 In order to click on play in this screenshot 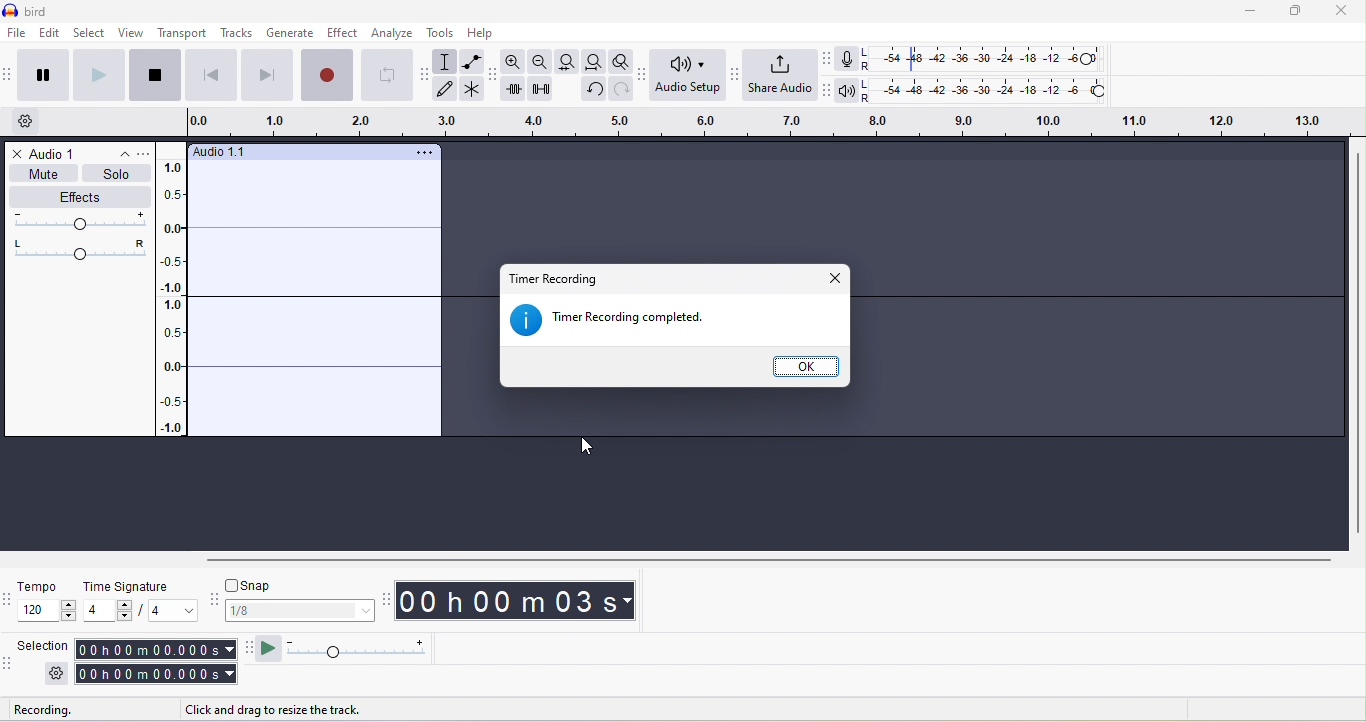, I will do `click(96, 73)`.